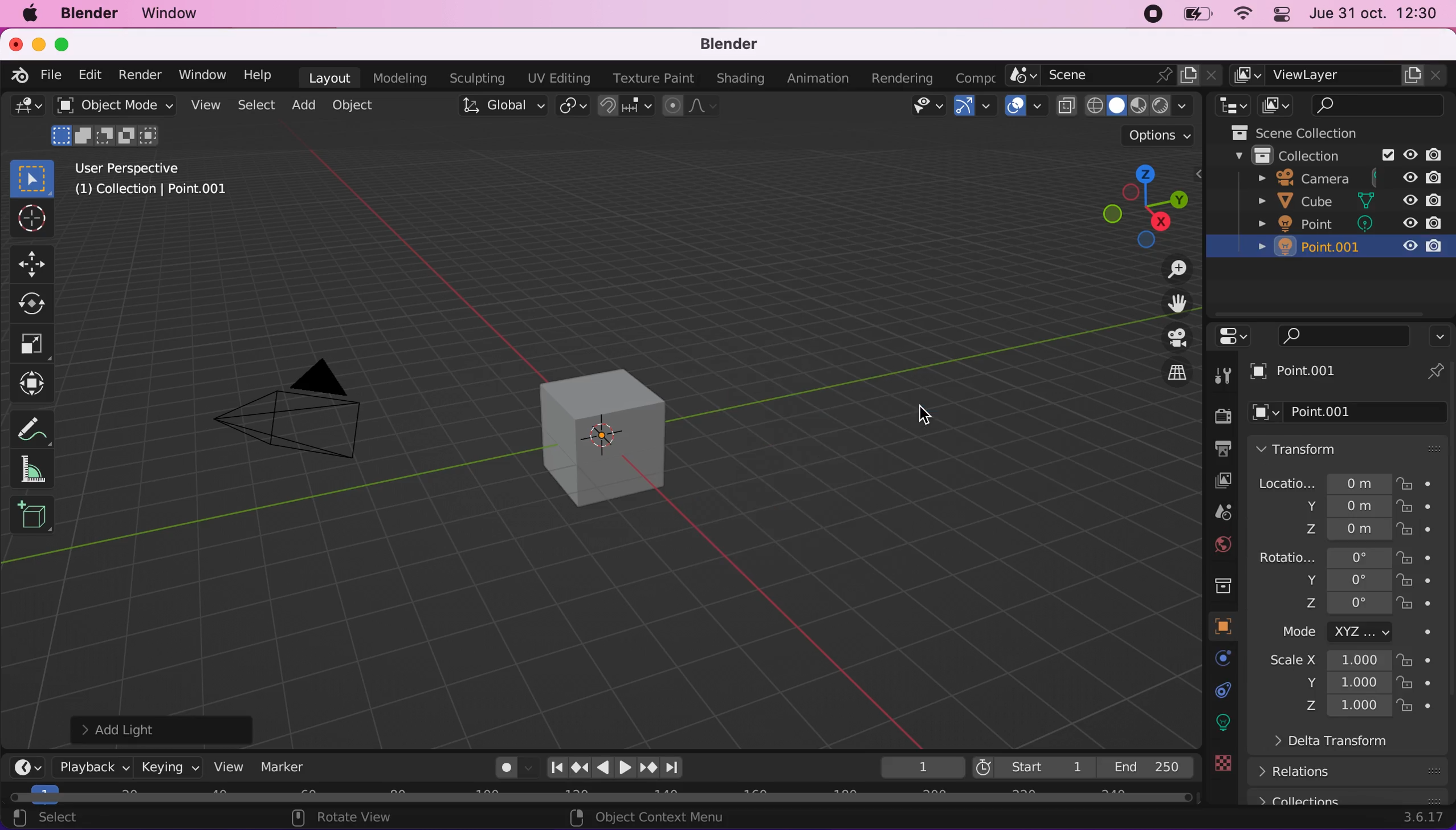  Describe the element at coordinates (1340, 605) in the screenshot. I see `z 0` at that location.